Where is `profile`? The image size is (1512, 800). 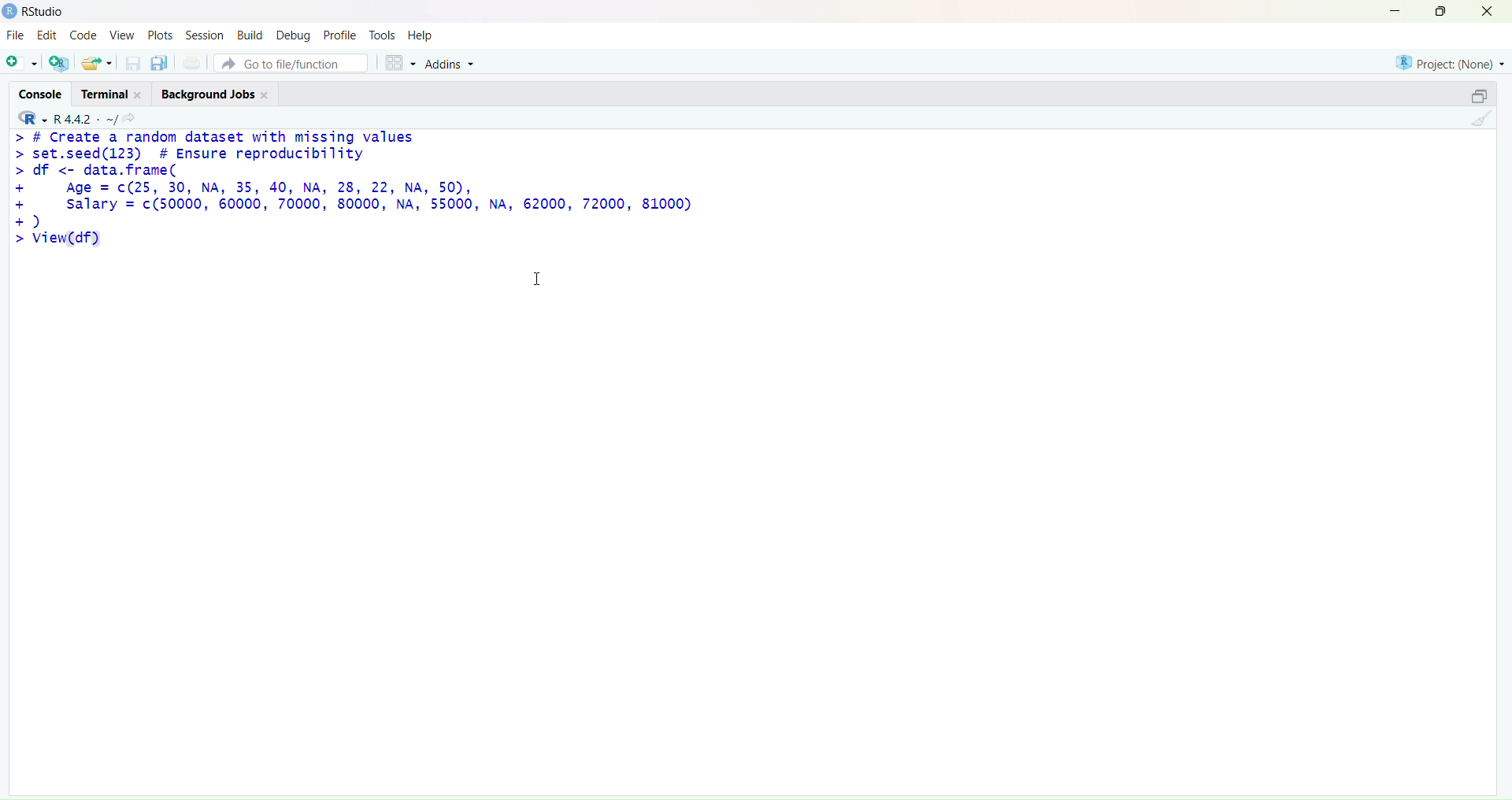 profile is located at coordinates (339, 35).